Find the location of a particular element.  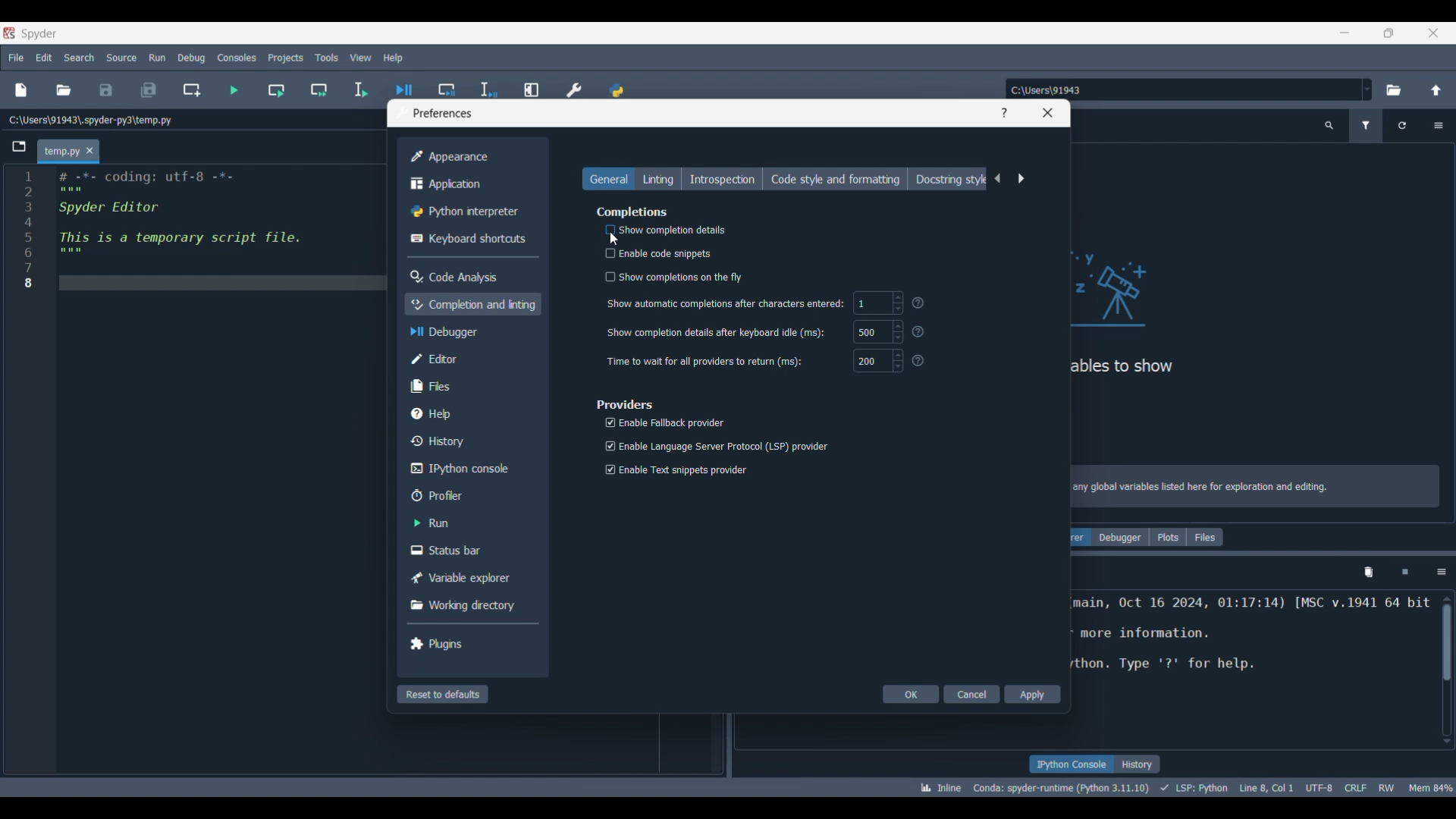

Enable Language Server Protocol (LSP) provider is located at coordinates (714, 444).